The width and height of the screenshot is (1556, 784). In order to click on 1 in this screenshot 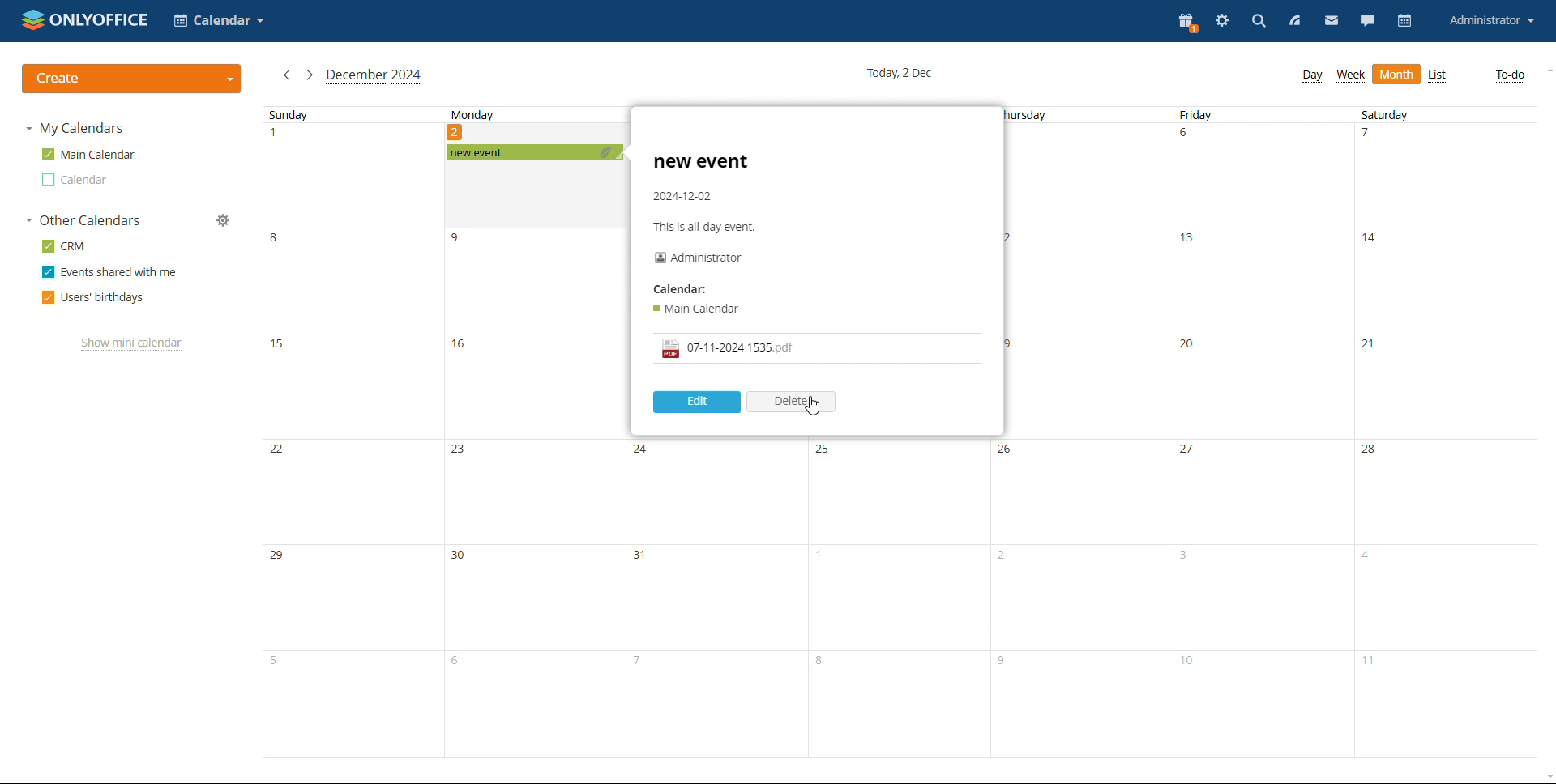, I will do `click(820, 559)`.